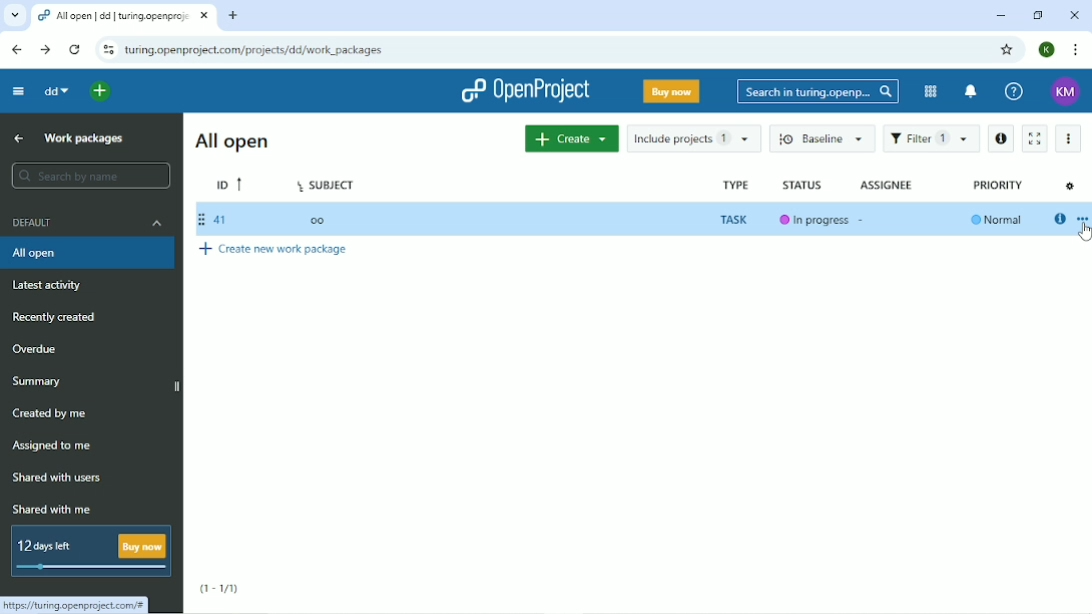 The width and height of the screenshot is (1092, 614). What do you see at coordinates (1002, 139) in the screenshot?
I see `Open details view` at bounding box center [1002, 139].